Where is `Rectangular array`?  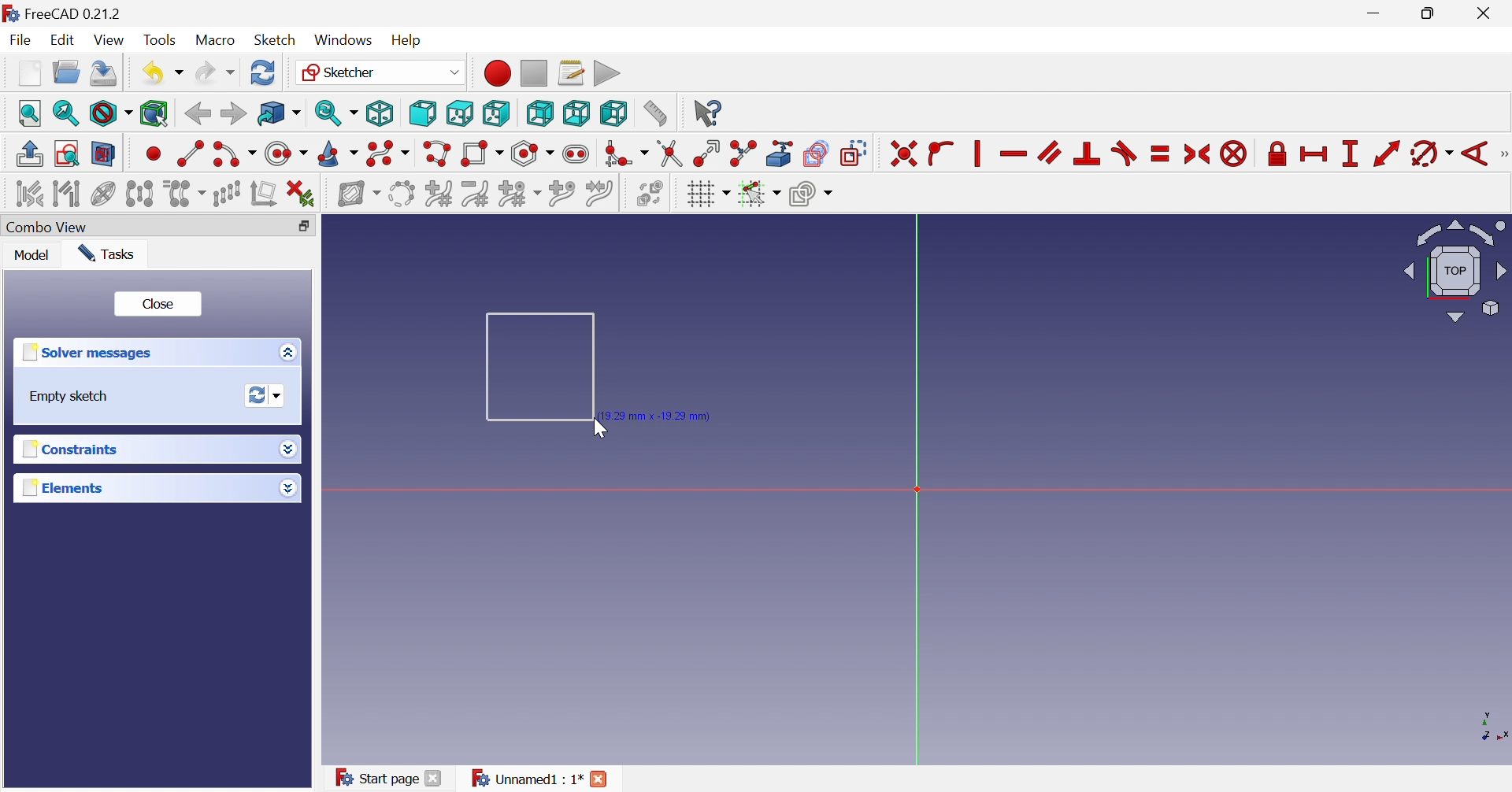
Rectangular array is located at coordinates (227, 194).